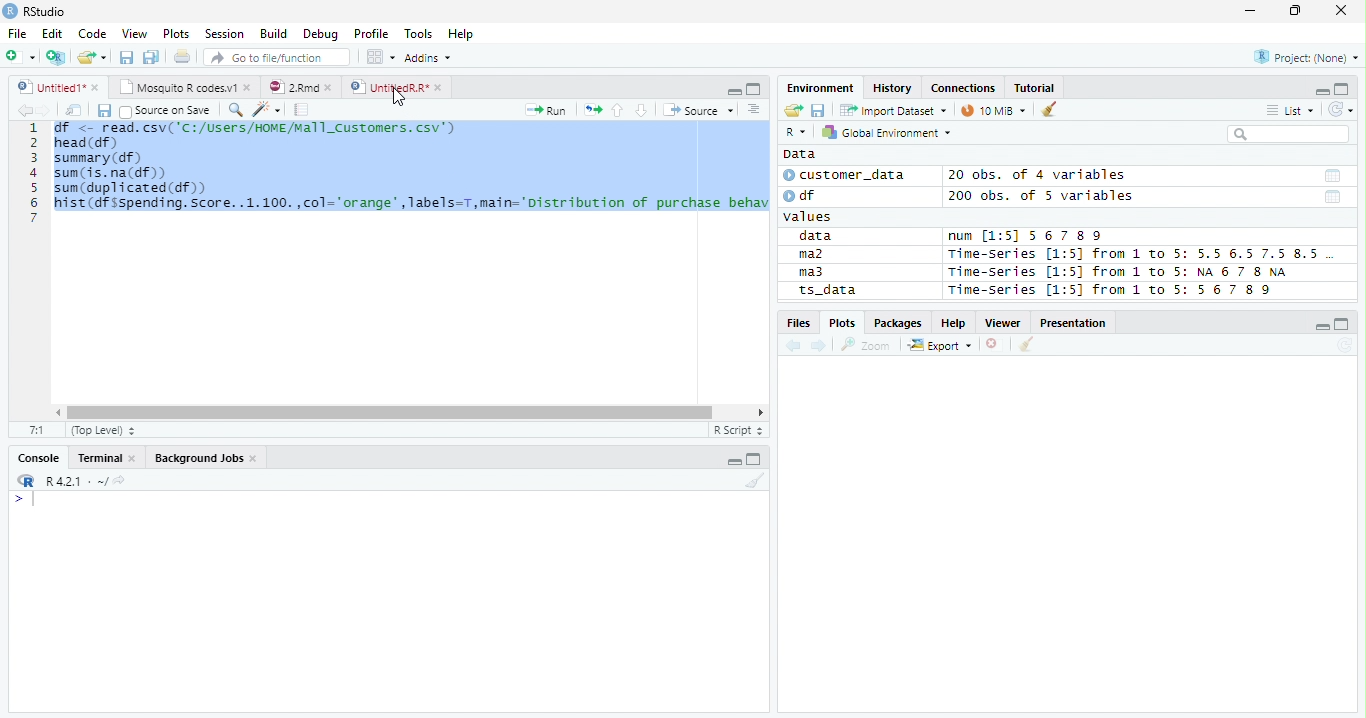 The height and width of the screenshot is (718, 1366). I want to click on df, so click(806, 195).